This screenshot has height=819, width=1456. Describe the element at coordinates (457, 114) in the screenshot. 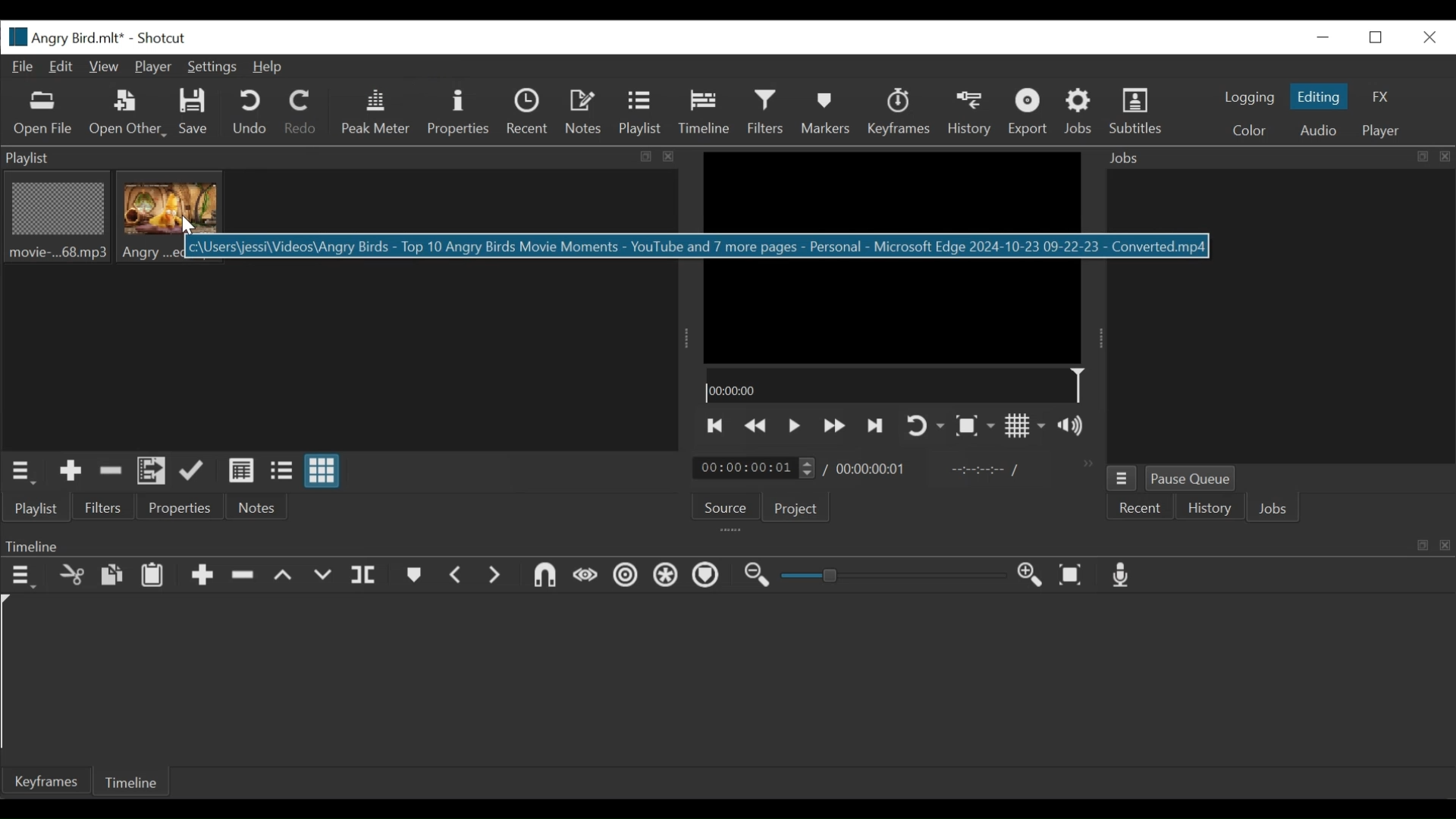

I see `Properties` at that location.